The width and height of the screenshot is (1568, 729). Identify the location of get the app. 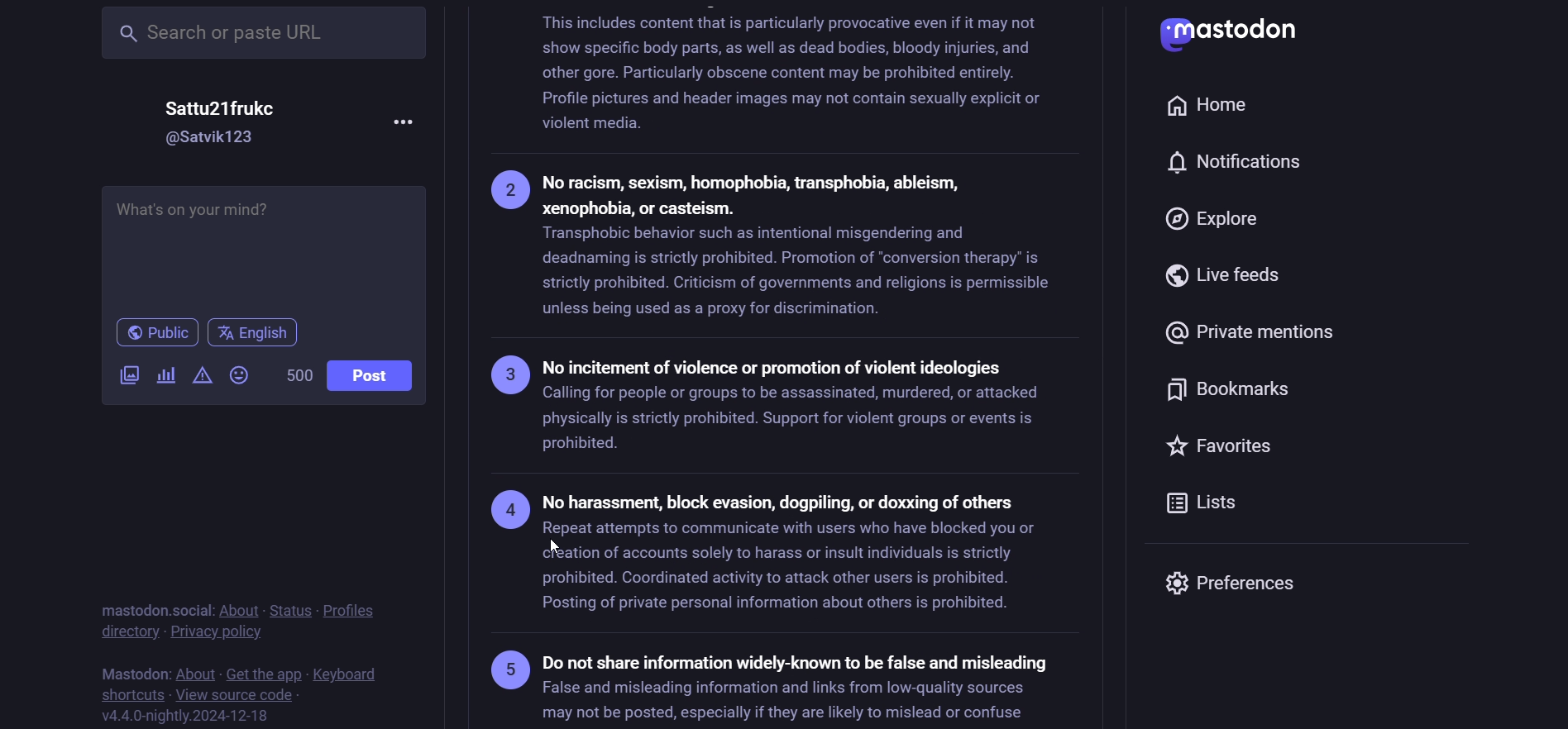
(264, 671).